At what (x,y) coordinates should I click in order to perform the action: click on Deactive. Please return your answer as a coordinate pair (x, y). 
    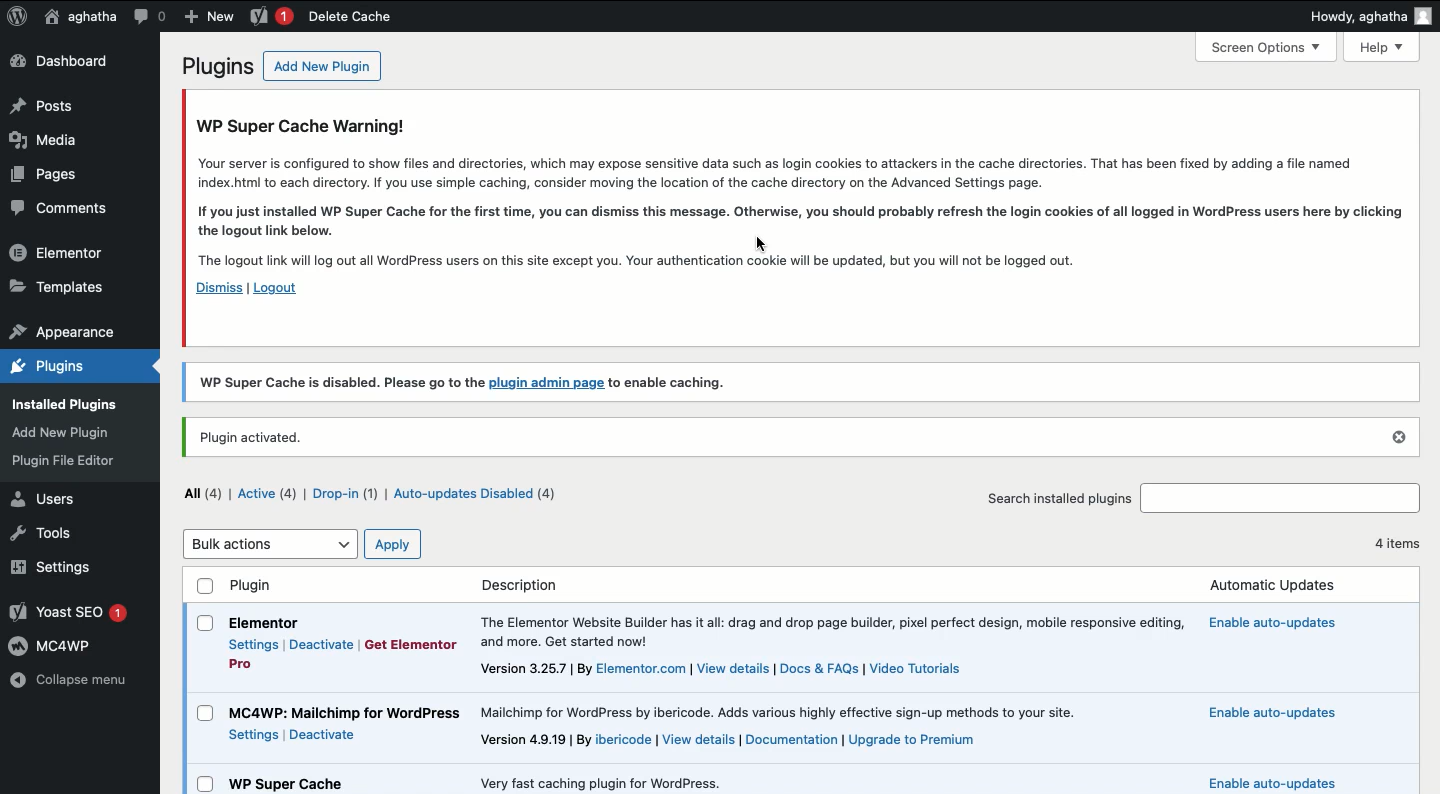
    Looking at the image, I should click on (321, 645).